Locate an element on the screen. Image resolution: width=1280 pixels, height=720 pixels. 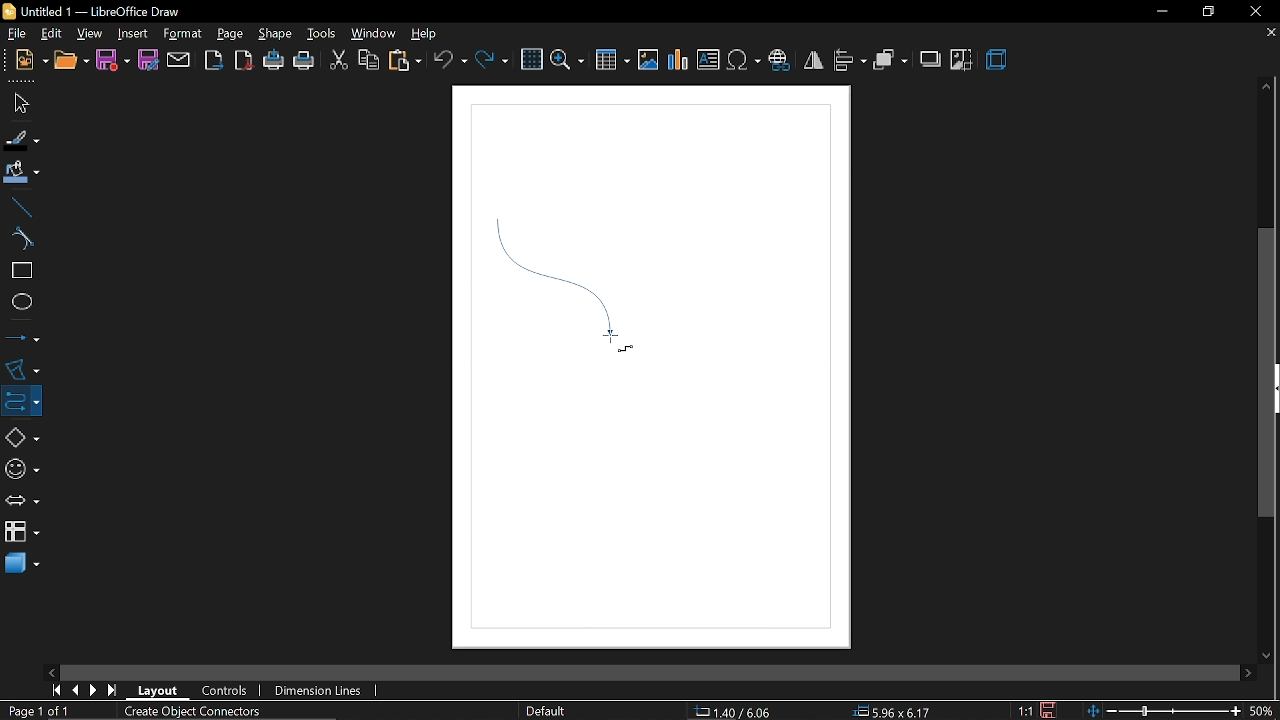
restore down is located at coordinates (1206, 11).